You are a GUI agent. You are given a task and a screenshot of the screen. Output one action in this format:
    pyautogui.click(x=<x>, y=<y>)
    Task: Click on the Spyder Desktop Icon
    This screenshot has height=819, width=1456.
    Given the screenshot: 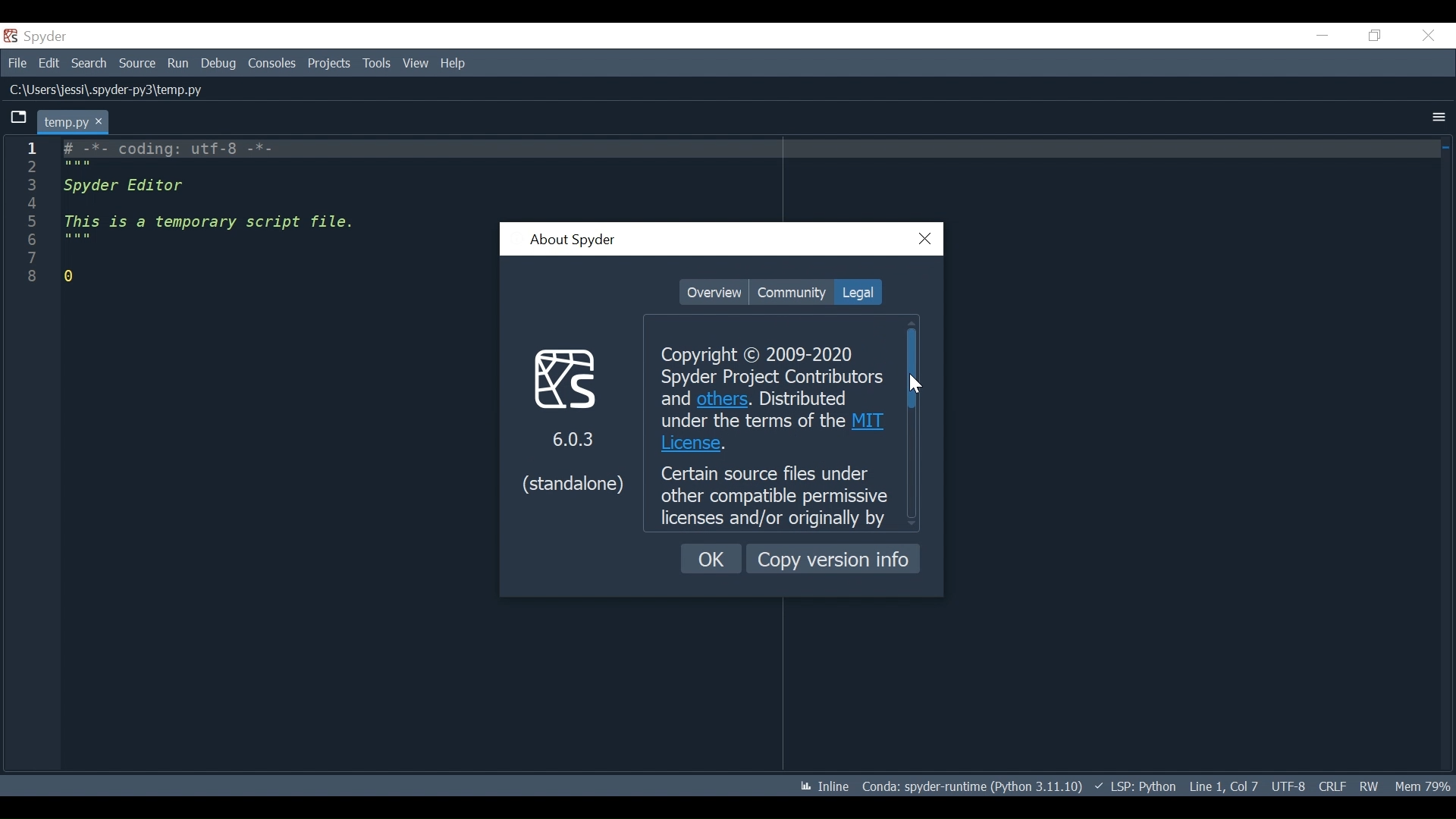 What is the action you would take?
    pyautogui.click(x=39, y=36)
    